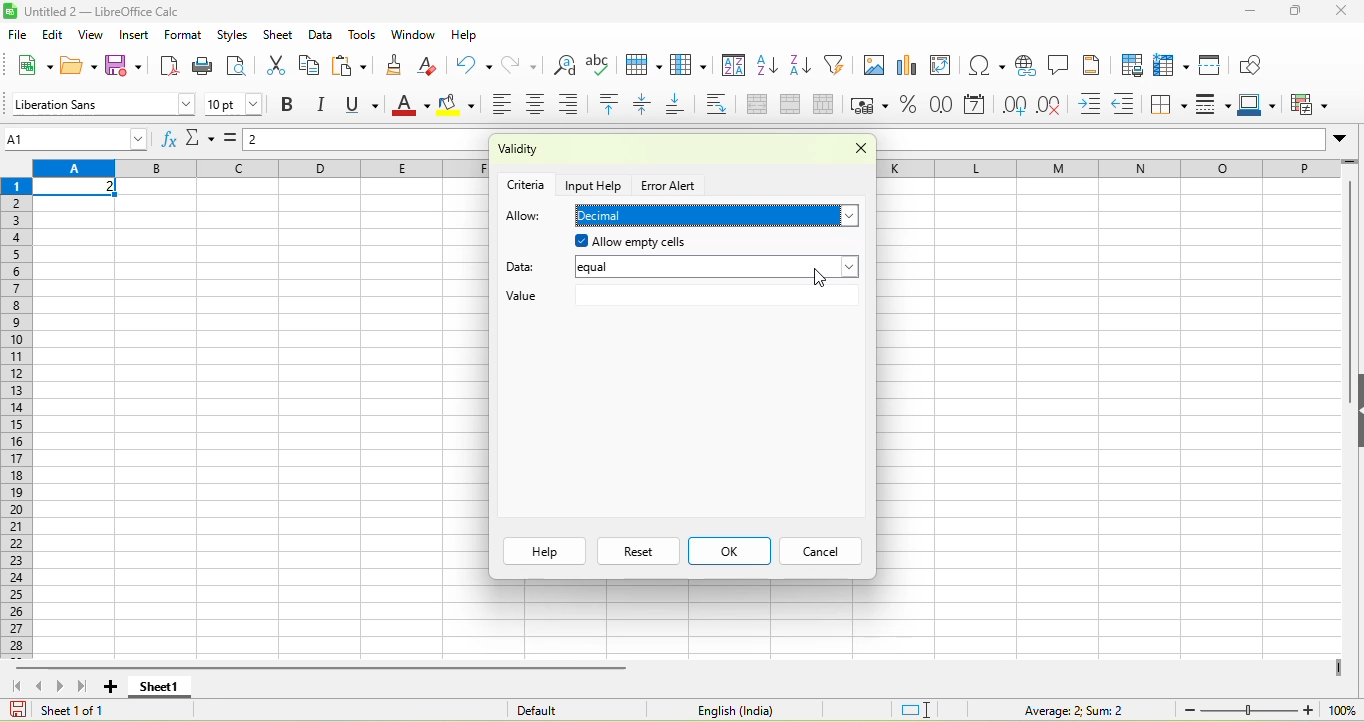  I want to click on wrap, so click(723, 105).